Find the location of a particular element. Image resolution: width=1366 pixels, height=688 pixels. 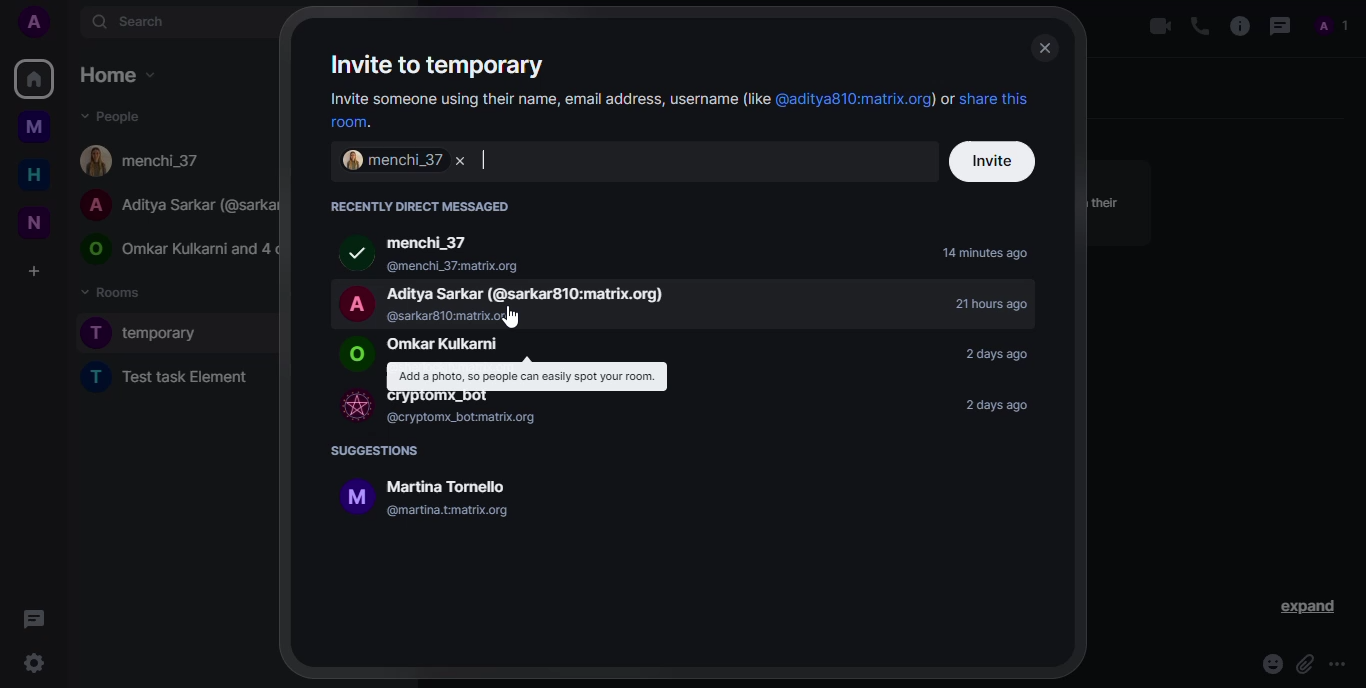

profile picture is located at coordinates (351, 255).